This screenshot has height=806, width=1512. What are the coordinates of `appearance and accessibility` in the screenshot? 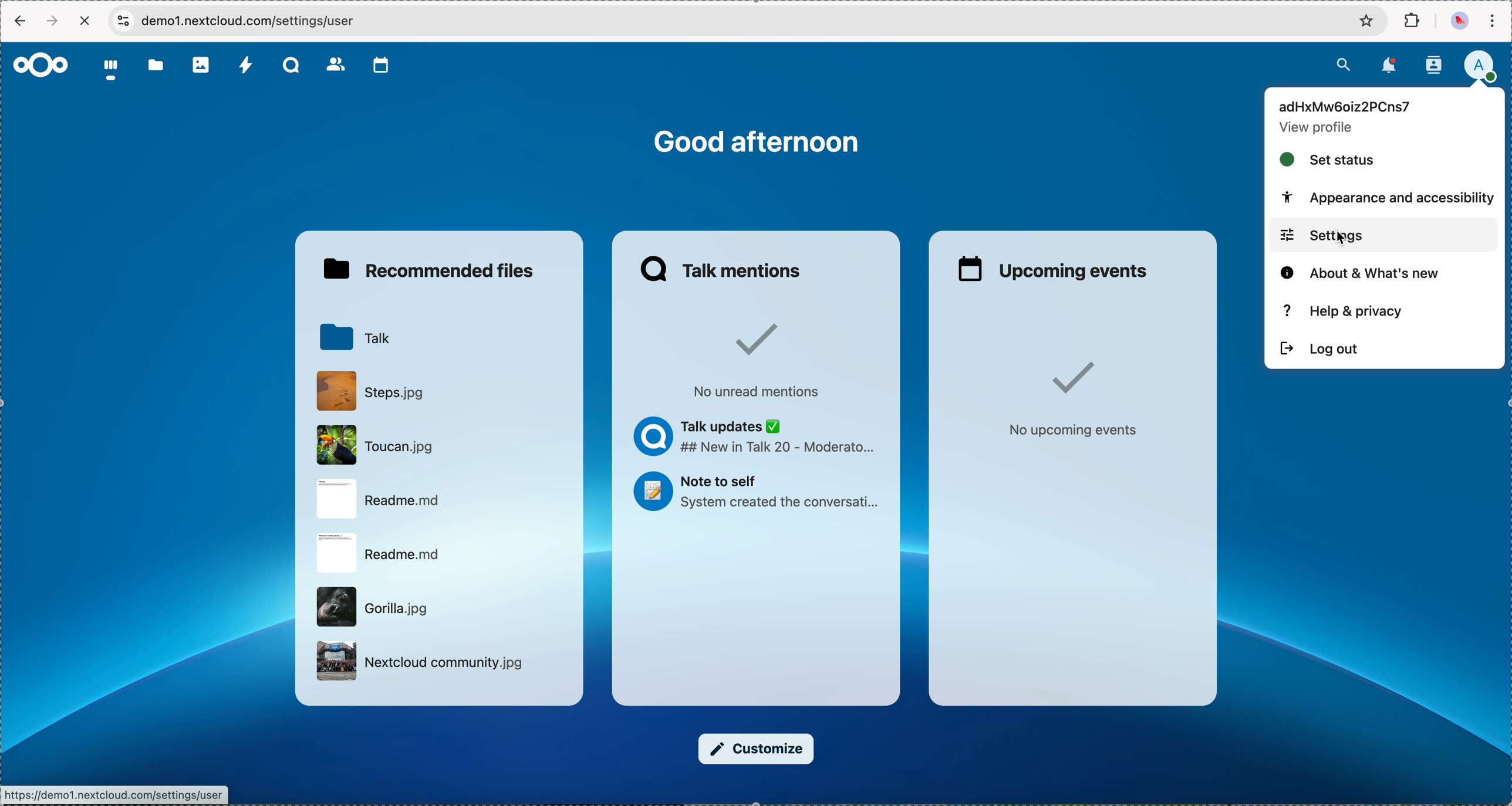 It's located at (1386, 198).